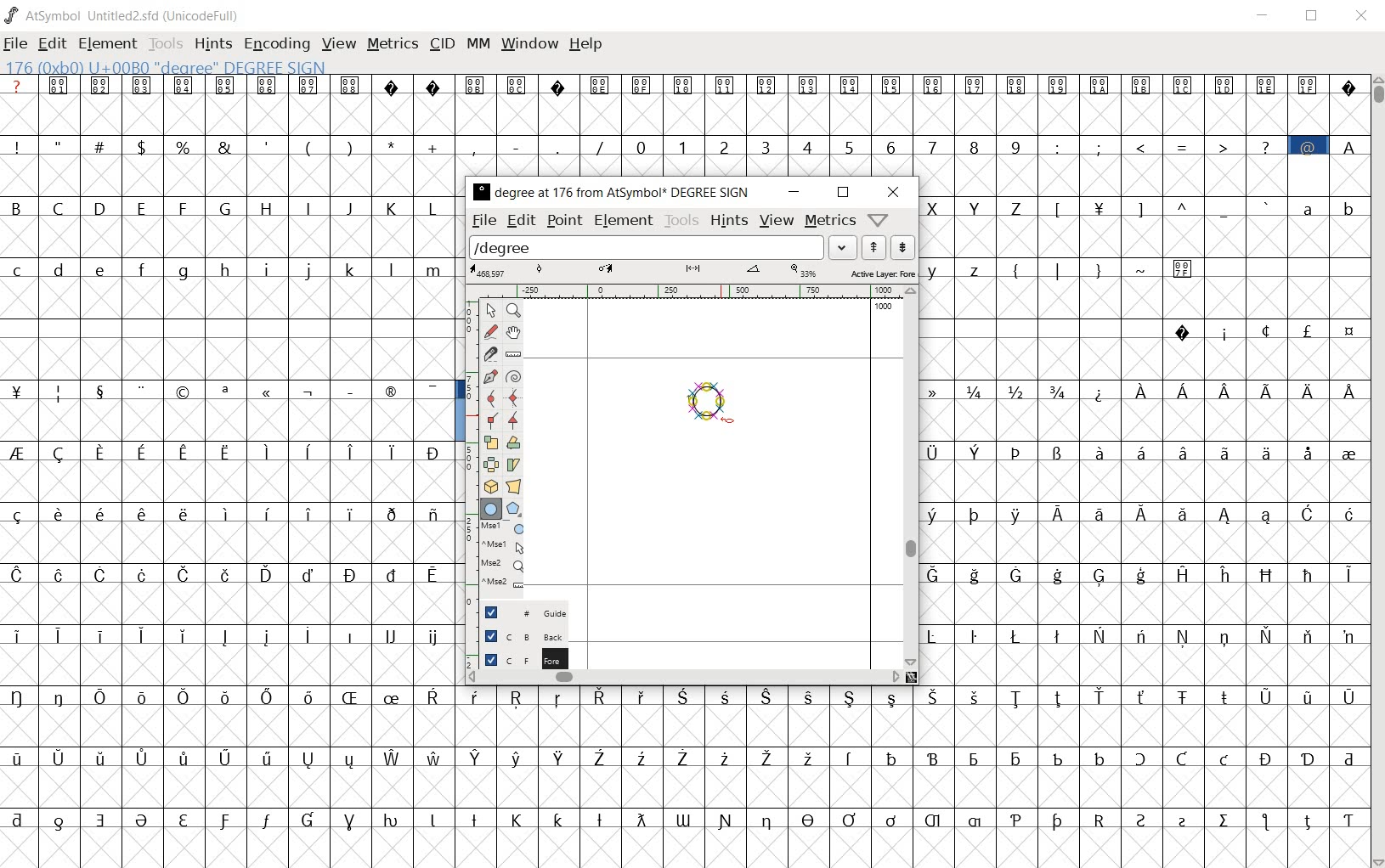  Describe the element at coordinates (825, 145) in the screenshot. I see `0 - 9` at that location.